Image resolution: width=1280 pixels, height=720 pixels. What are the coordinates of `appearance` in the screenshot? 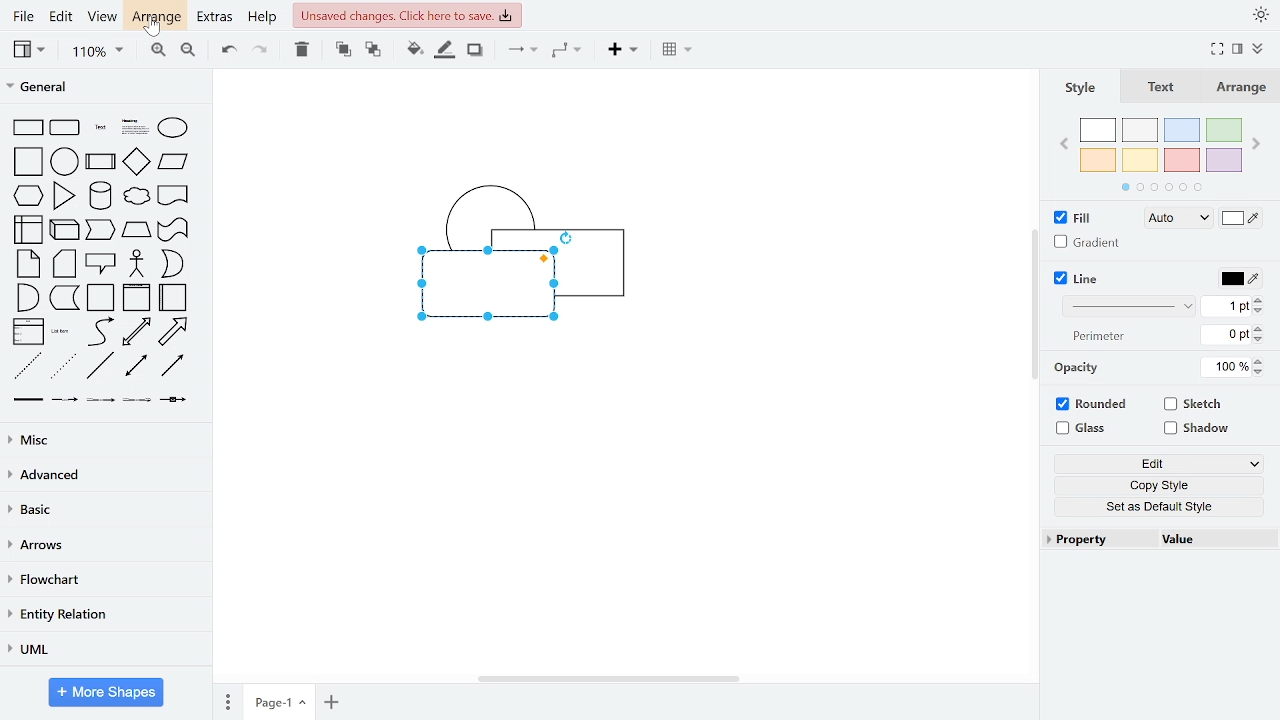 It's located at (1258, 16).